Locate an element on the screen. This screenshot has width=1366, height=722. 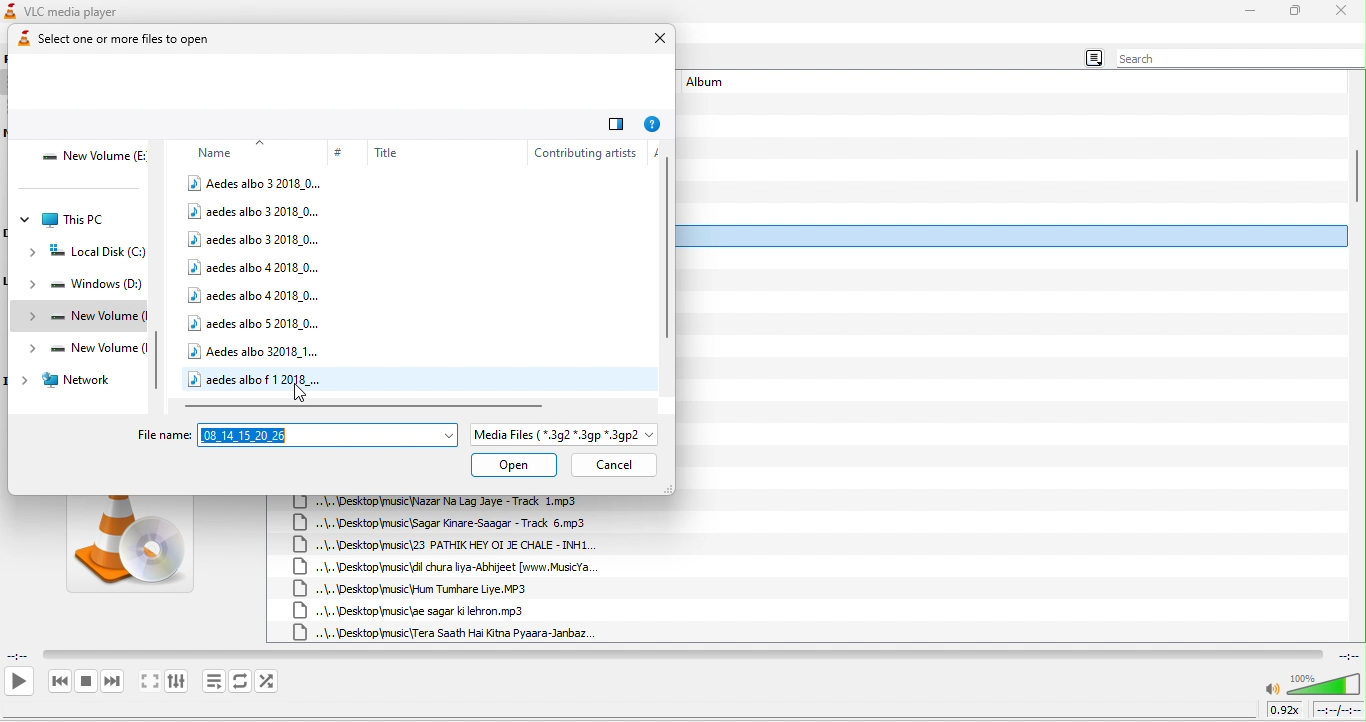
video playback is located at coordinates (682, 654).